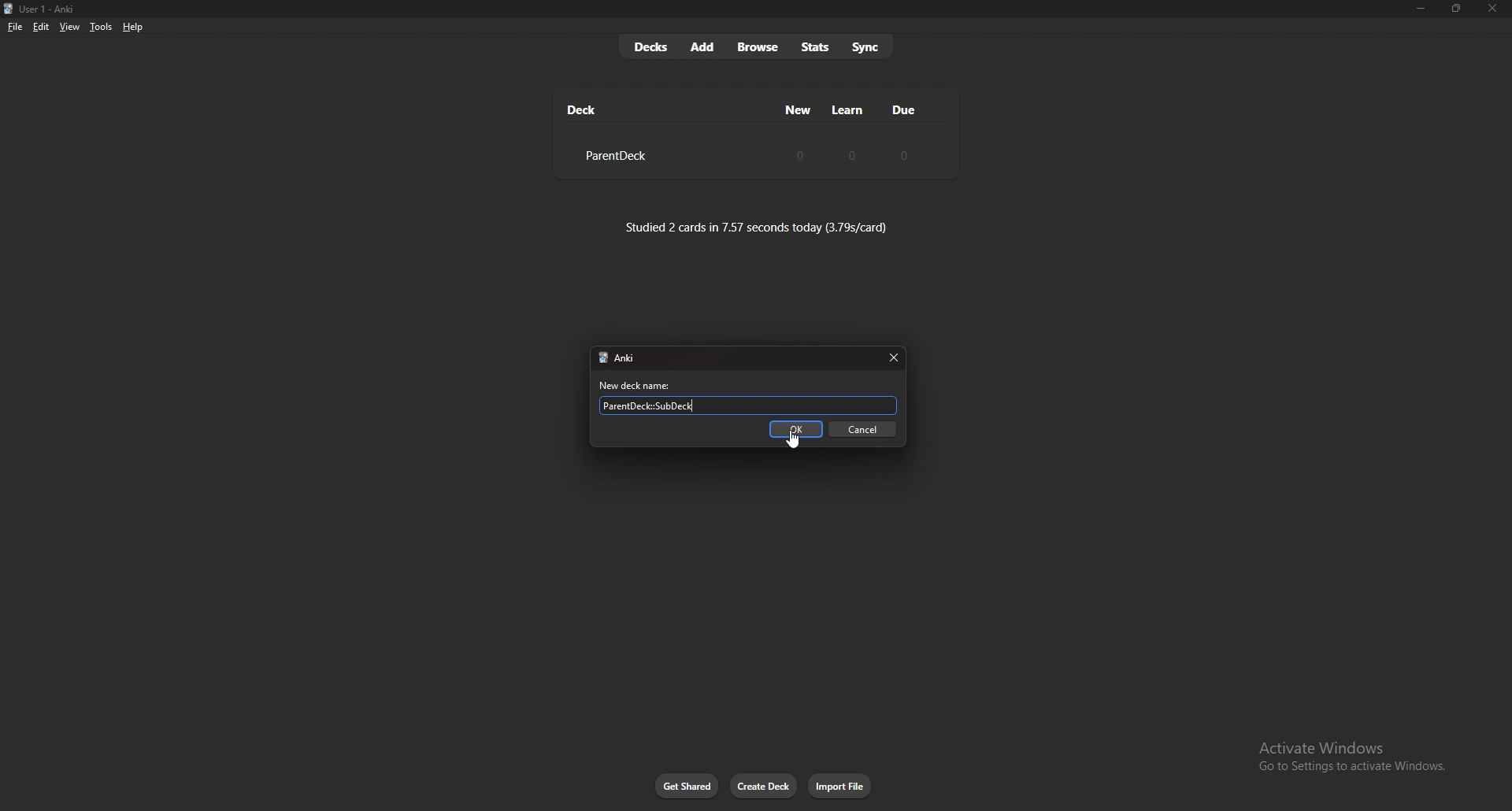  I want to click on studied 2 cards in 7.57 seconds today (3.79s/card), so click(757, 227).